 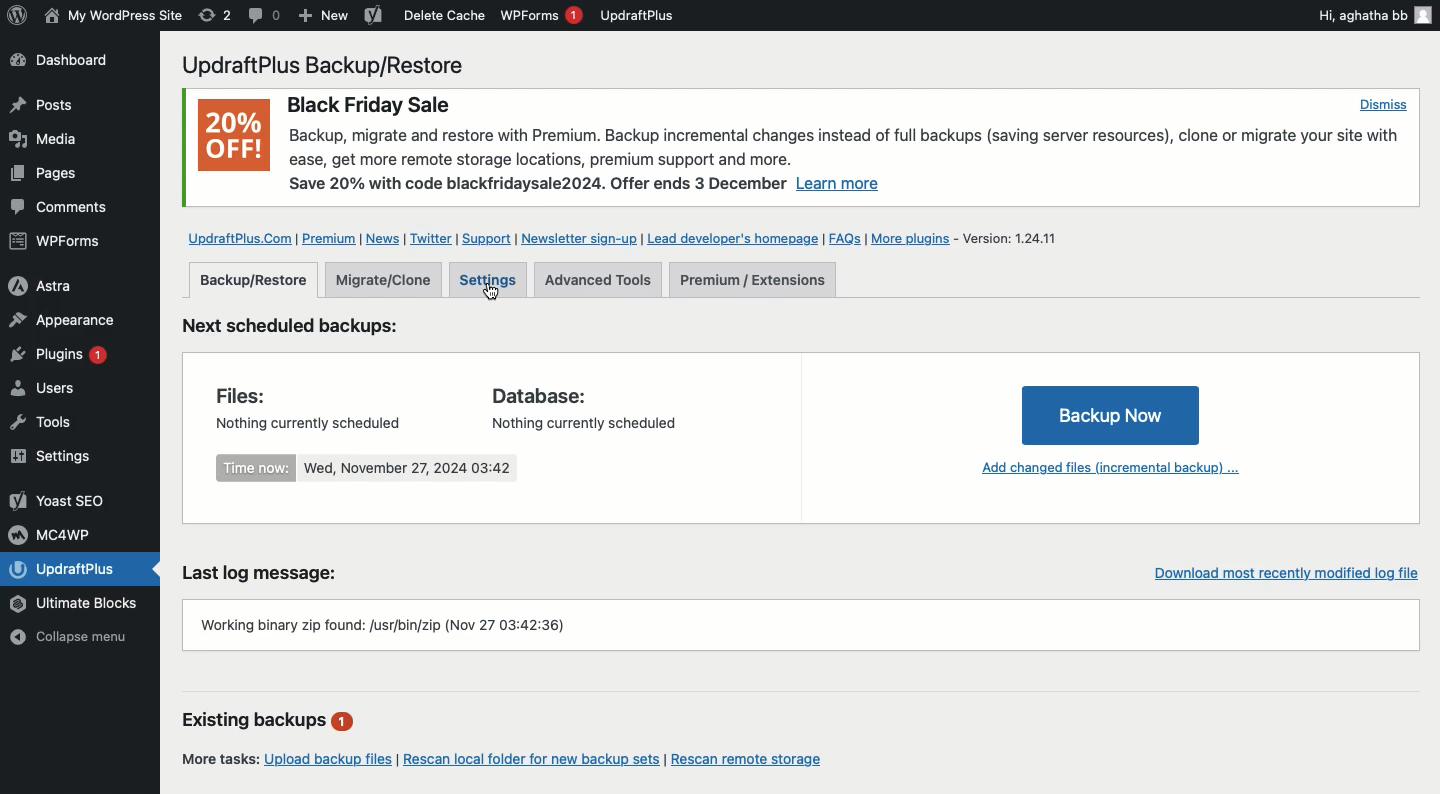 I want to click on Download recently modified log file, so click(x=1285, y=575).